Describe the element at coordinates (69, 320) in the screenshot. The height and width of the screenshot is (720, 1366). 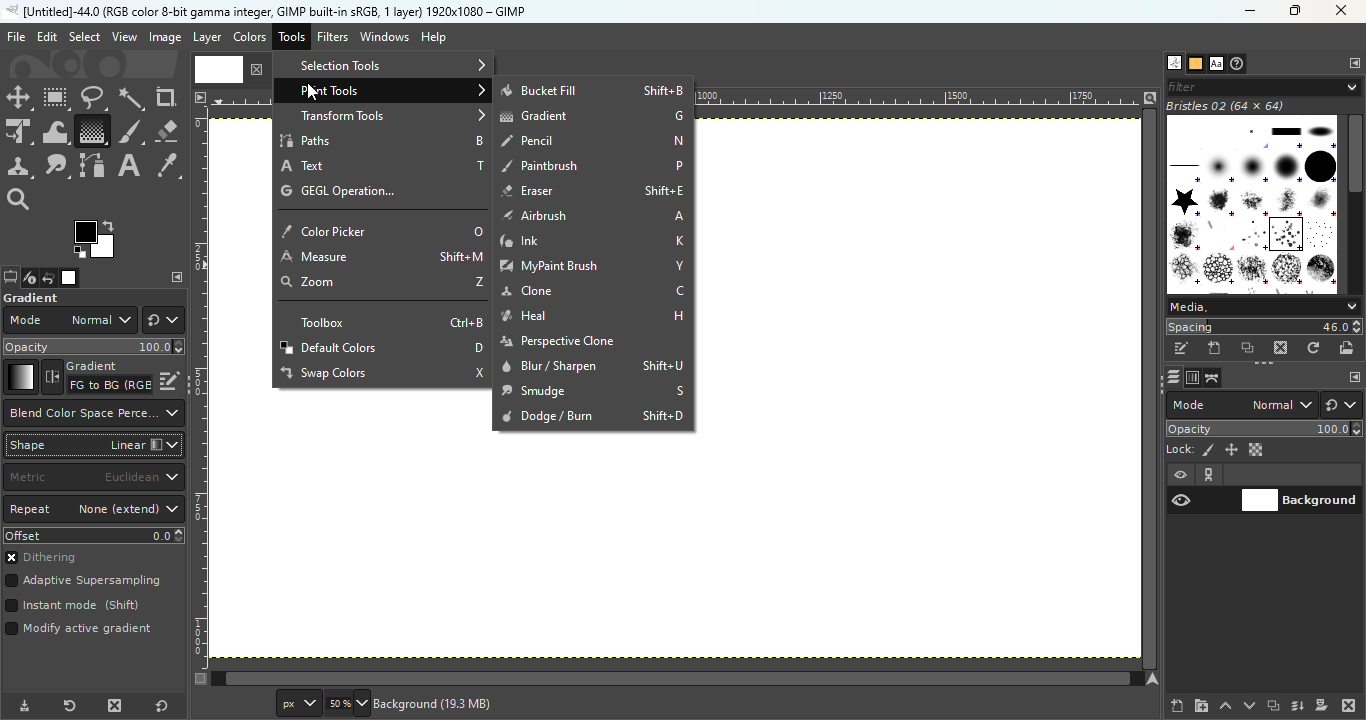
I see `Mode` at that location.